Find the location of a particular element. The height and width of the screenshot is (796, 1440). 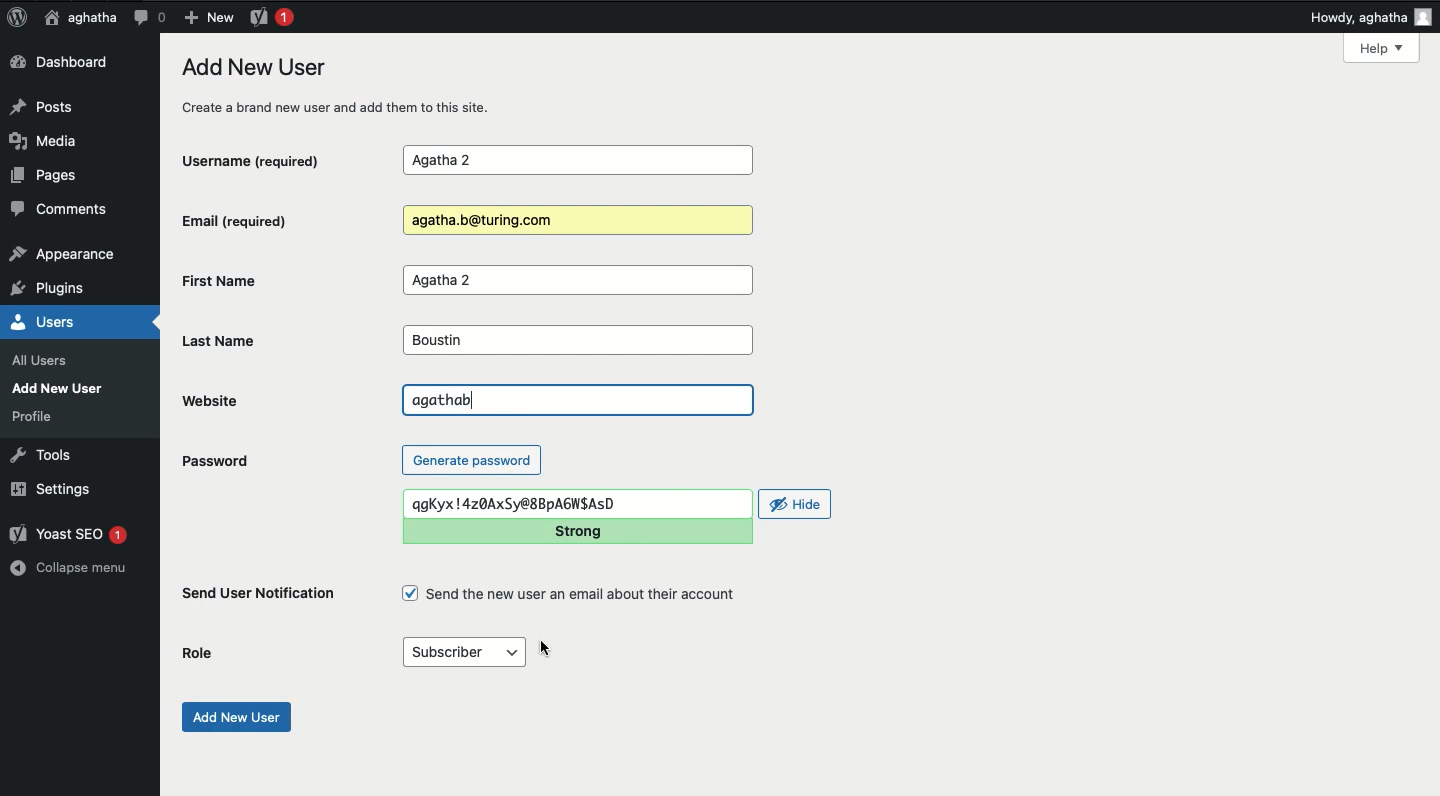

plugins is located at coordinates (58, 289).